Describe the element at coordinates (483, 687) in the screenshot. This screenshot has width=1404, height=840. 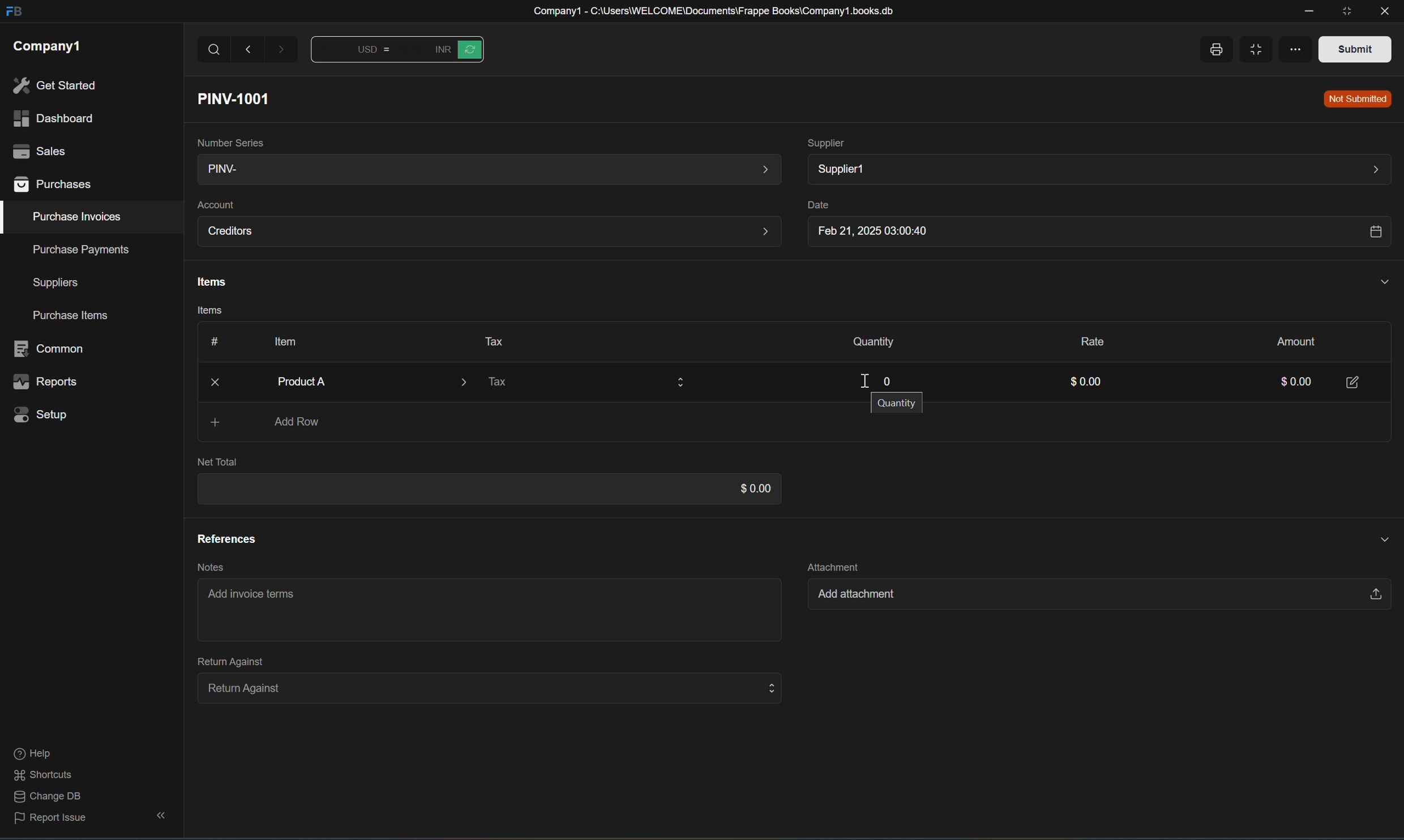
I see `Return Against` at that location.